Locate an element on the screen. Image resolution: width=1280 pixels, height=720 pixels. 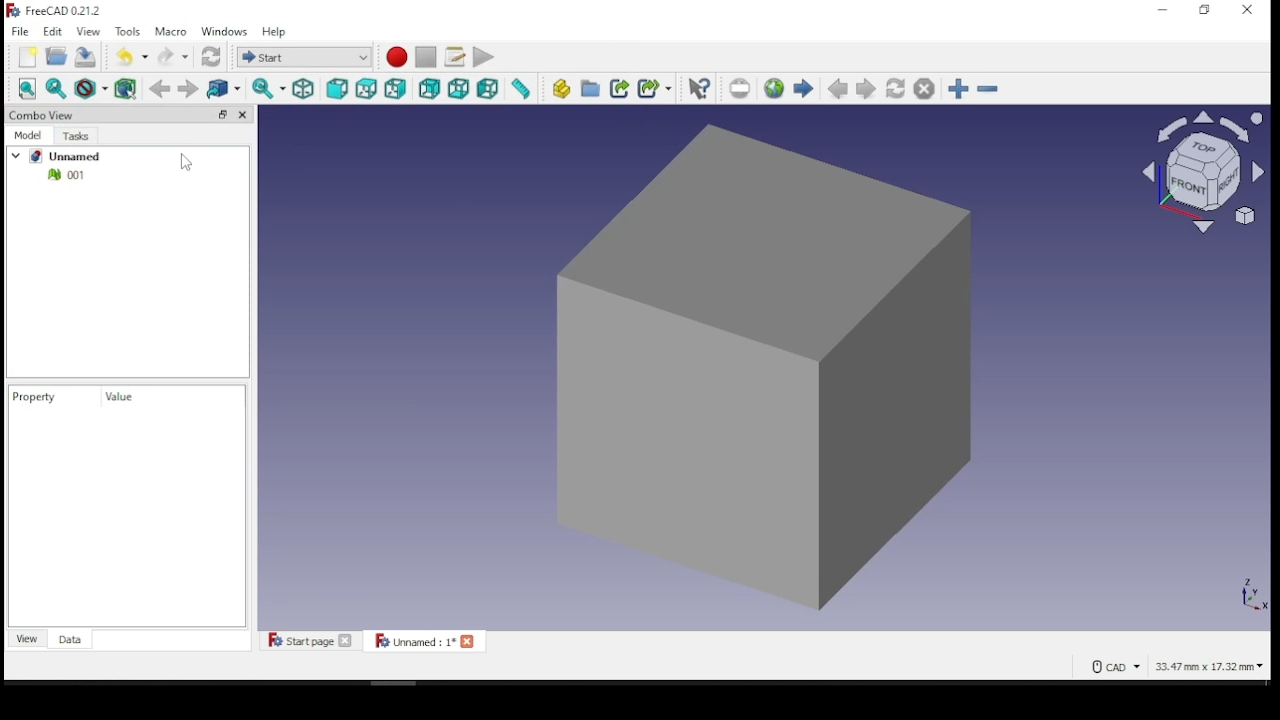
open website is located at coordinates (774, 87).